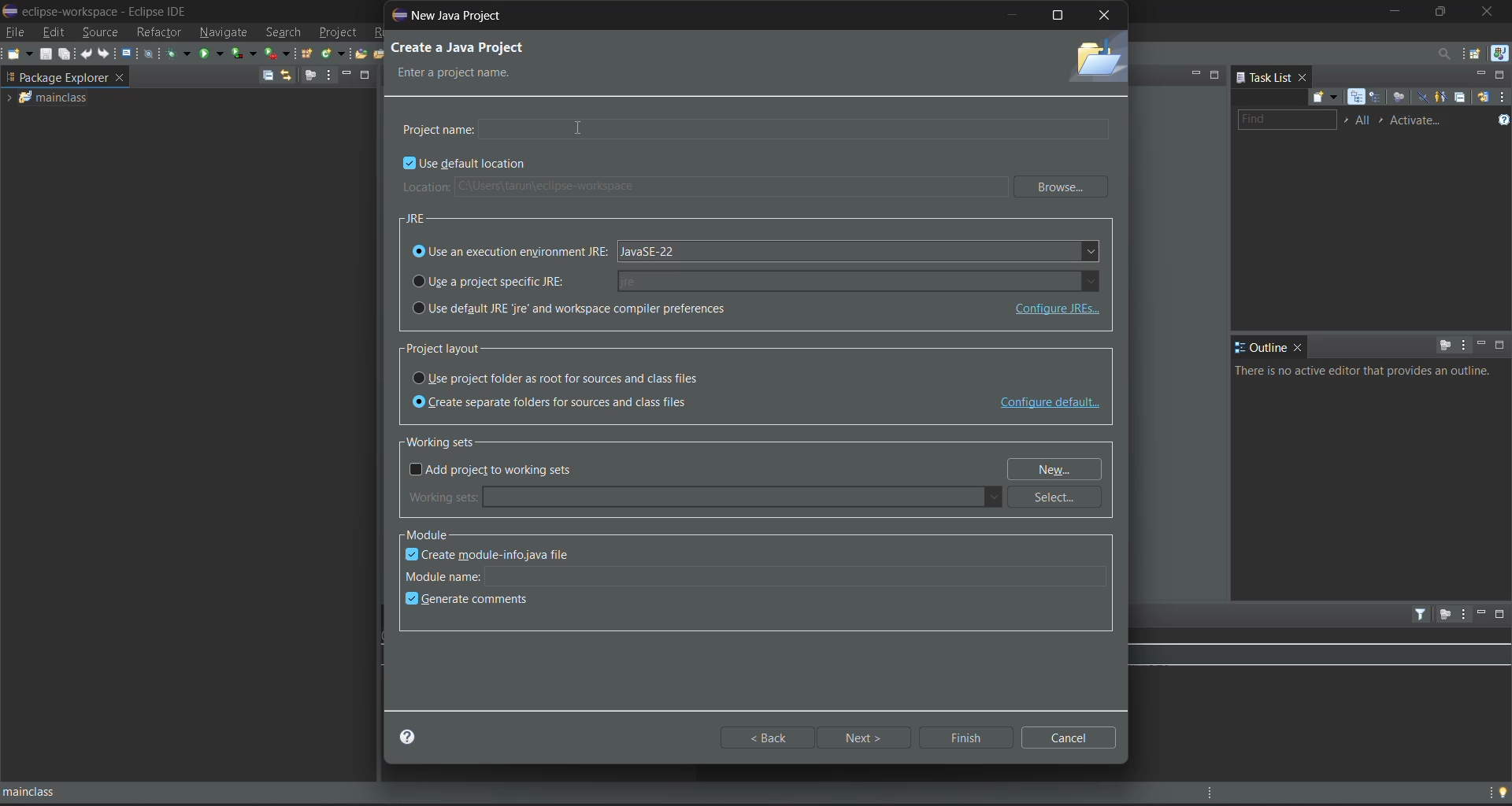 The width and height of the screenshot is (1512, 806). I want to click on back, so click(769, 737).